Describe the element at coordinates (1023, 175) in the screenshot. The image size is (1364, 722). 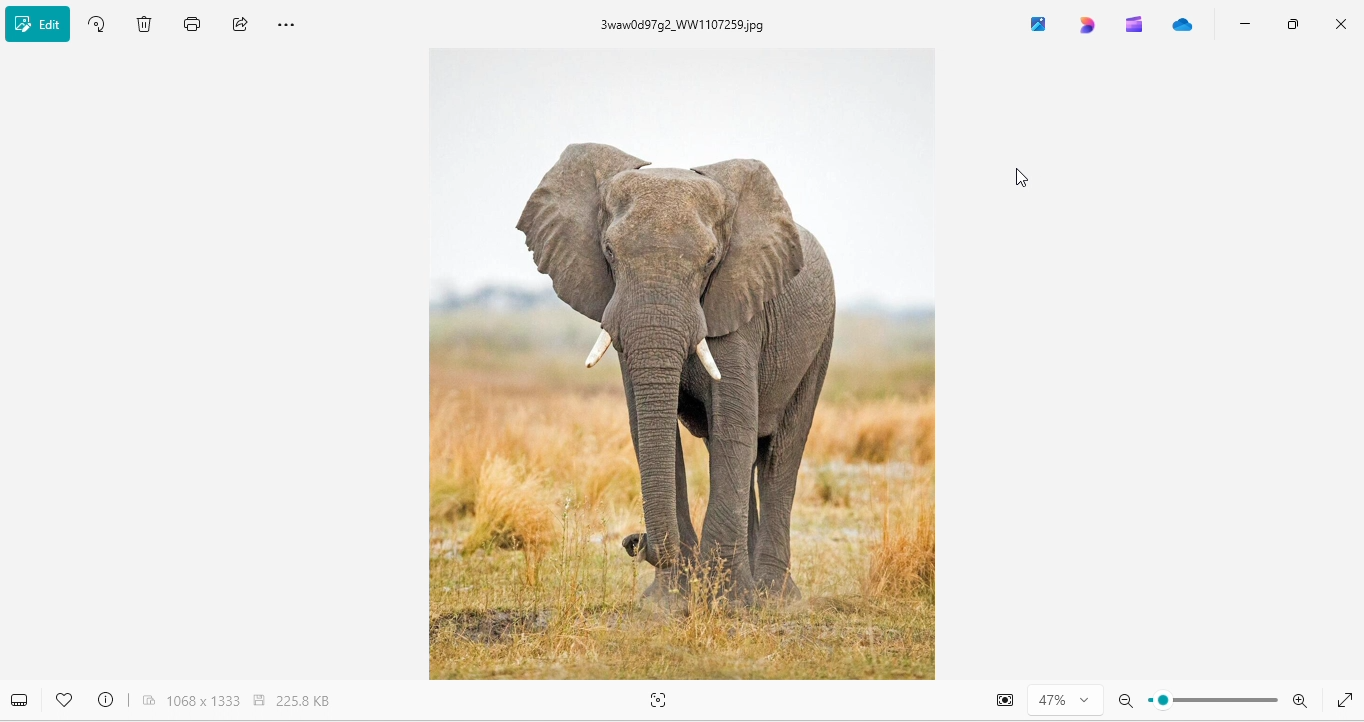
I see `cursor movement` at that location.